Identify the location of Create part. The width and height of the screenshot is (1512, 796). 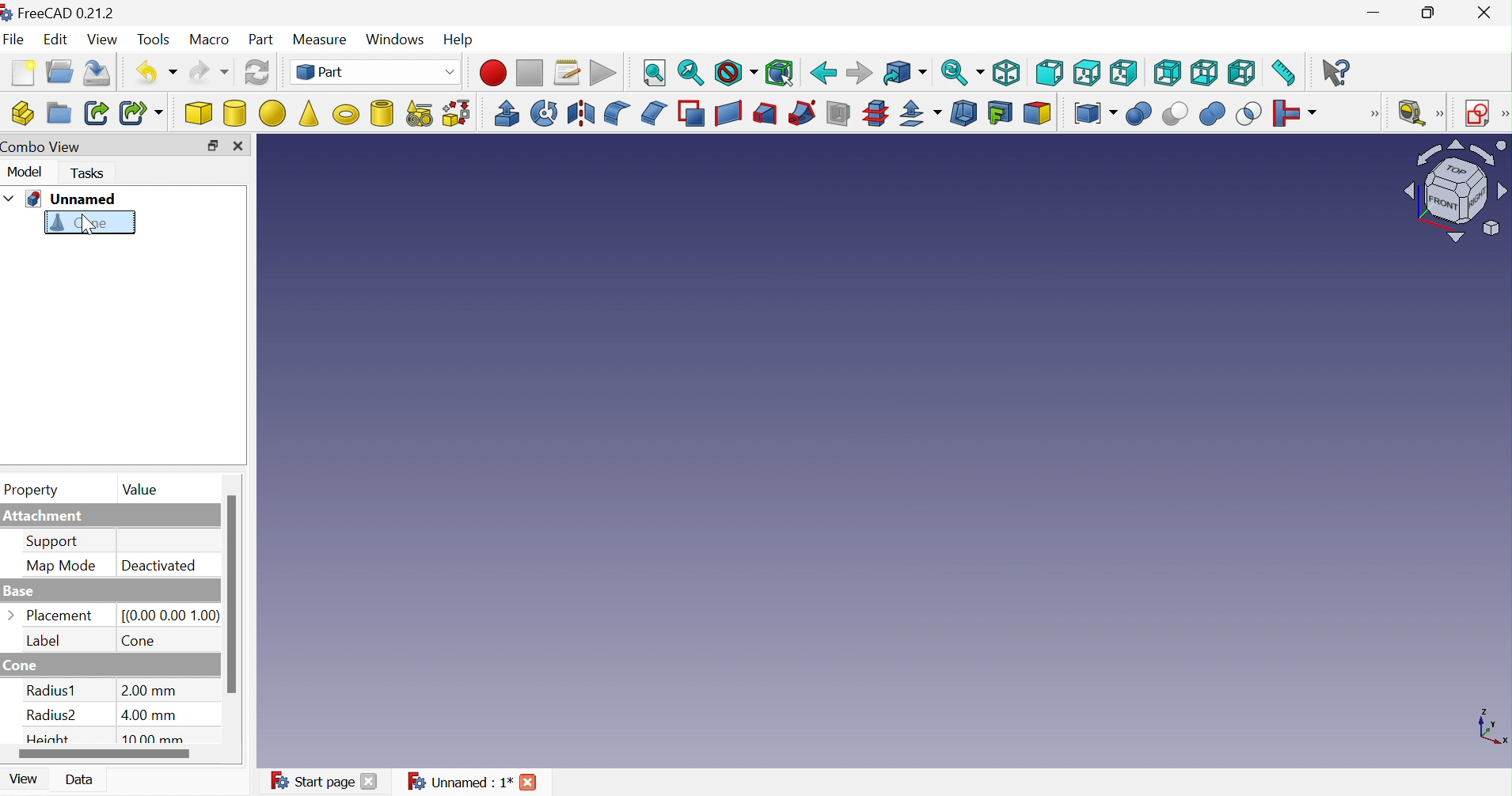
(23, 111).